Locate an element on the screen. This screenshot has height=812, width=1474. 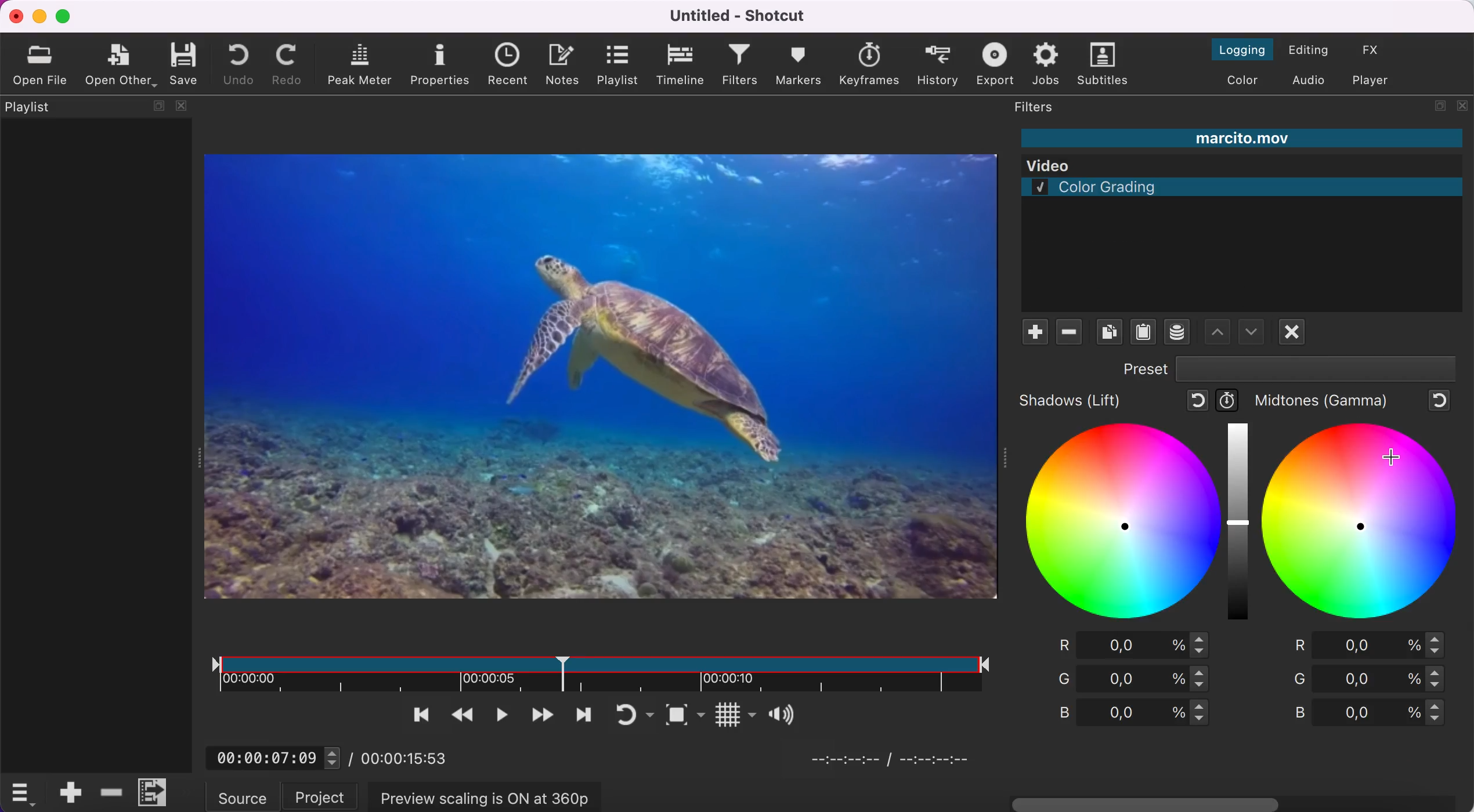
switch to player only layout is located at coordinates (1380, 79).